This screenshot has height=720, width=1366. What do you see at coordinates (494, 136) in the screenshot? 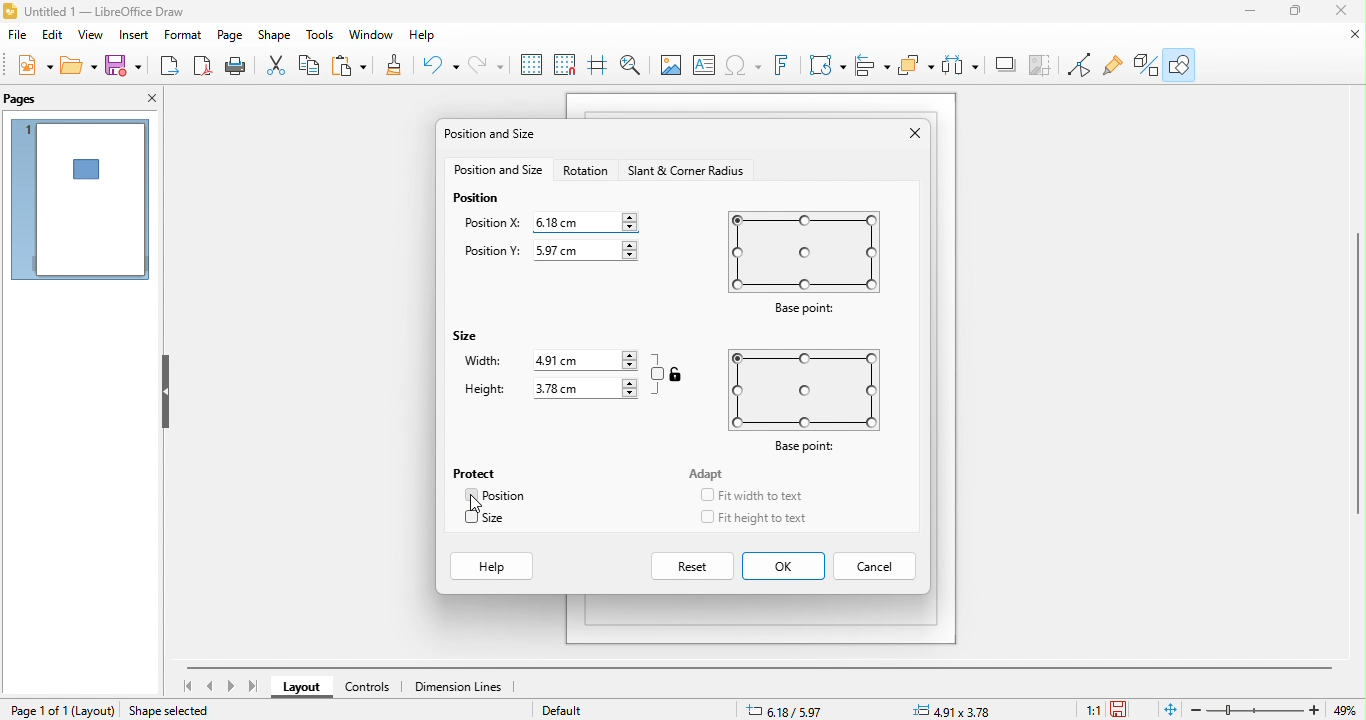
I see `position and size` at bounding box center [494, 136].